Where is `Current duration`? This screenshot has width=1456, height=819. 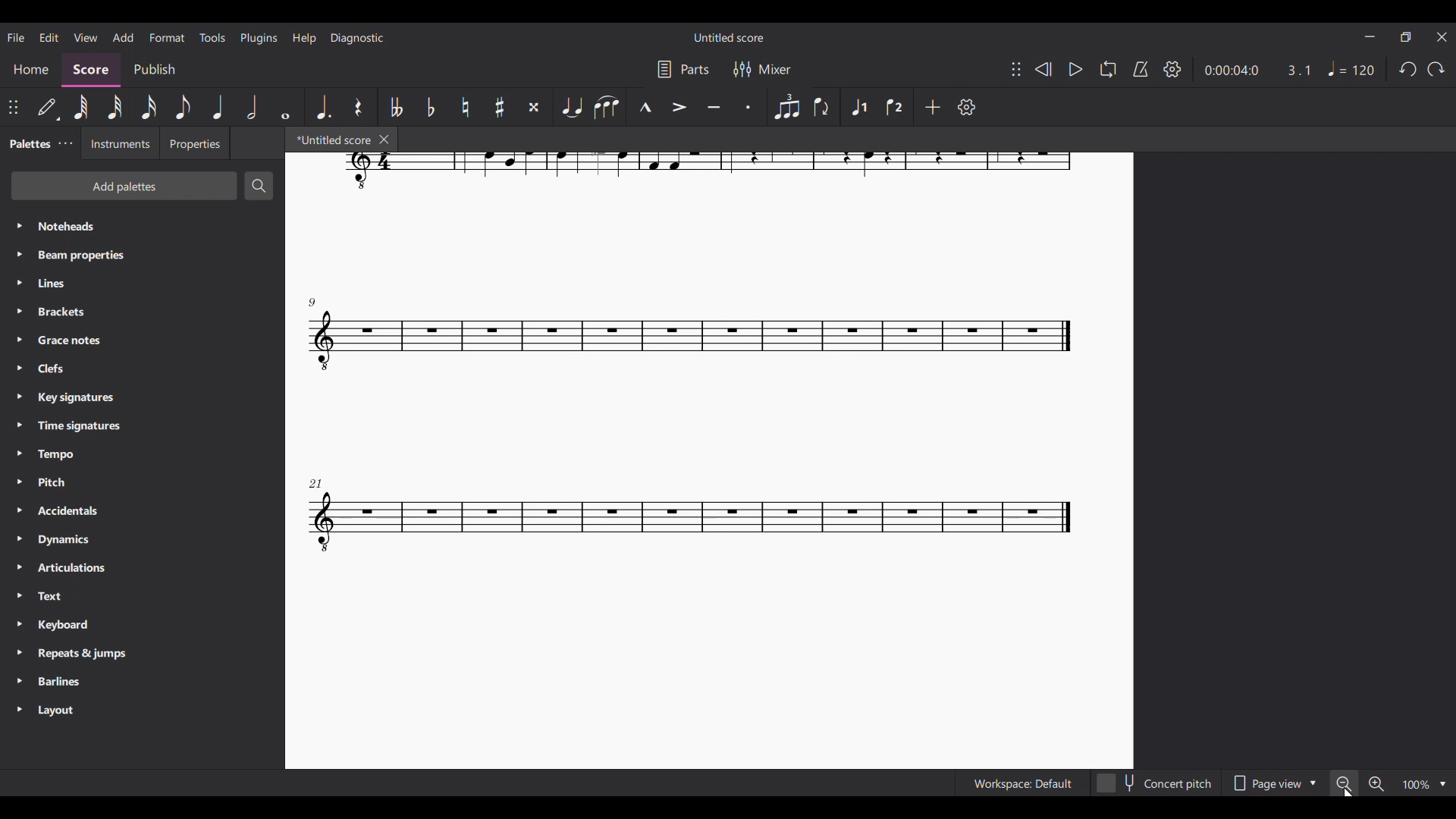
Current duration is located at coordinates (1230, 70).